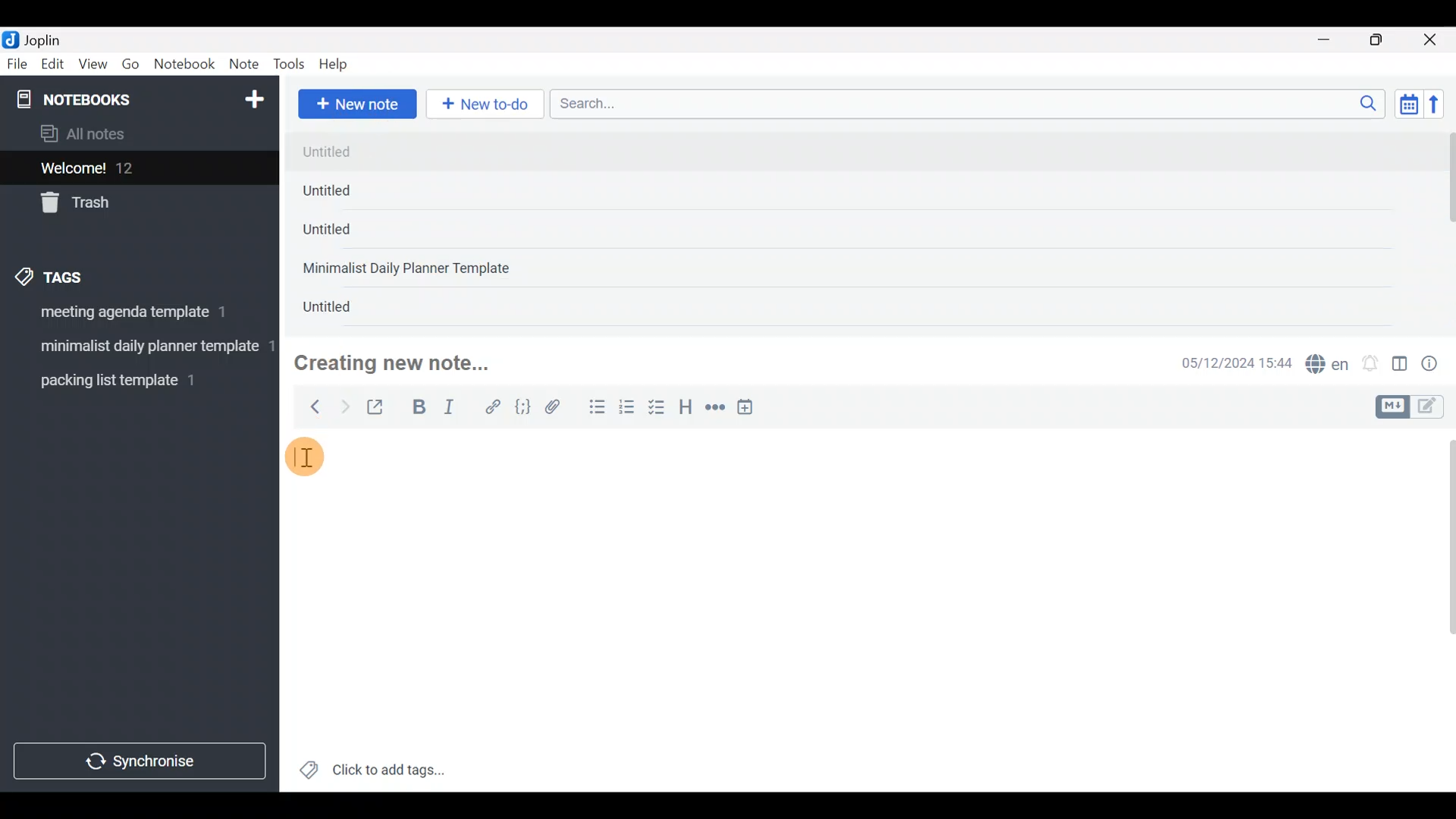 The height and width of the screenshot is (819, 1456). What do you see at coordinates (488, 105) in the screenshot?
I see `New to-do` at bounding box center [488, 105].